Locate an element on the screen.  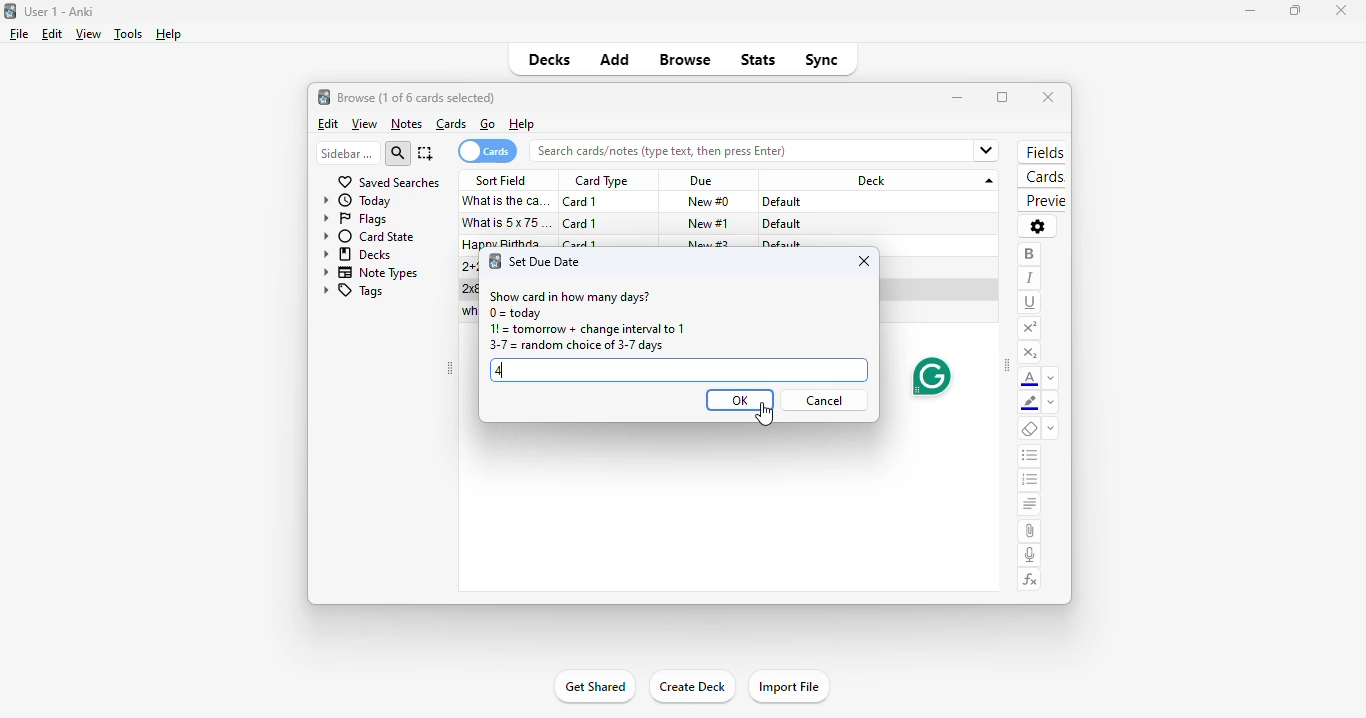
minimize is located at coordinates (1244, 11).